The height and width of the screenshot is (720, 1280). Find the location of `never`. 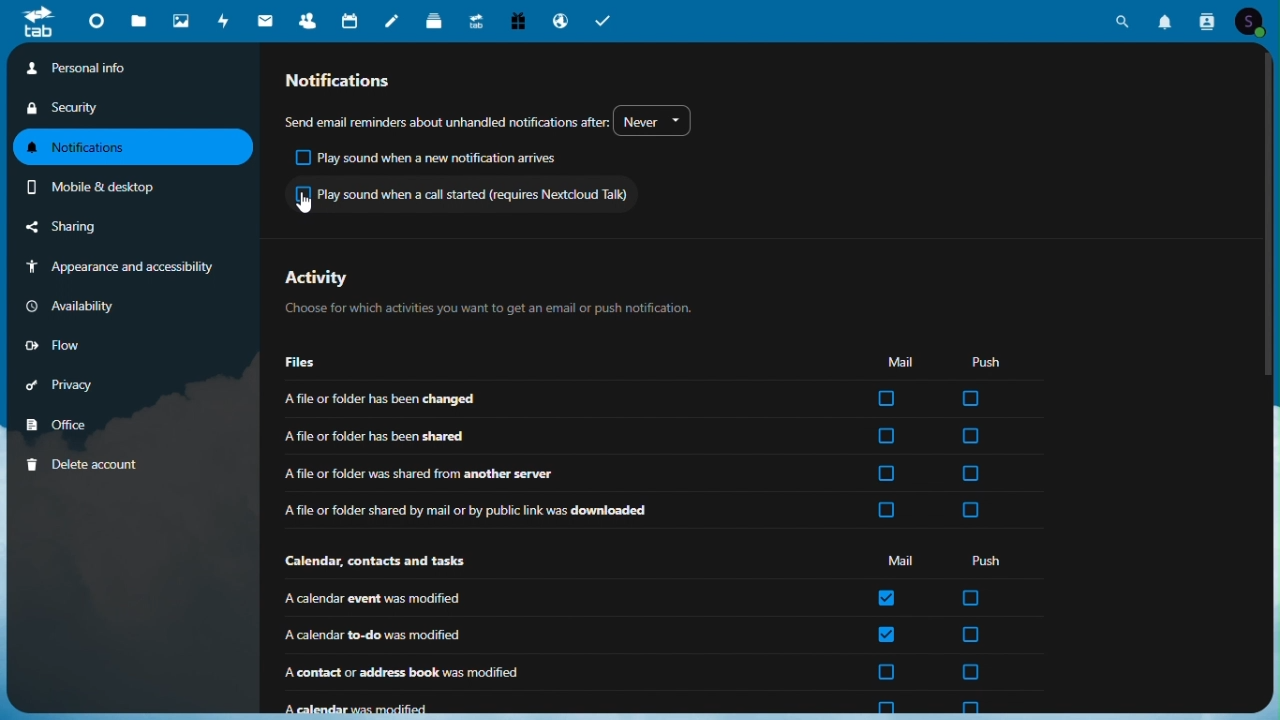

never is located at coordinates (658, 121).